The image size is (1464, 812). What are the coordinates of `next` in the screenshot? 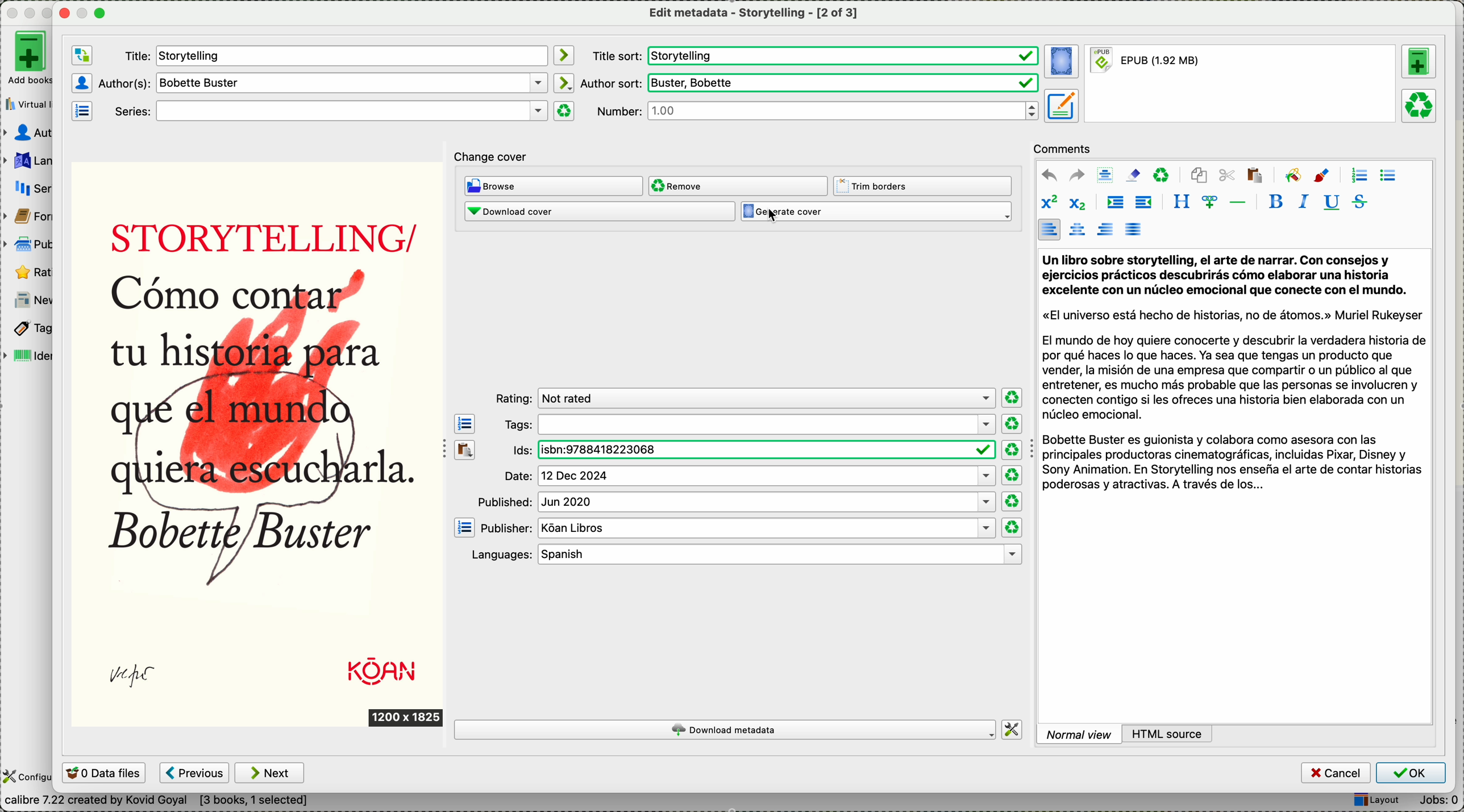 It's located at (269, 772).